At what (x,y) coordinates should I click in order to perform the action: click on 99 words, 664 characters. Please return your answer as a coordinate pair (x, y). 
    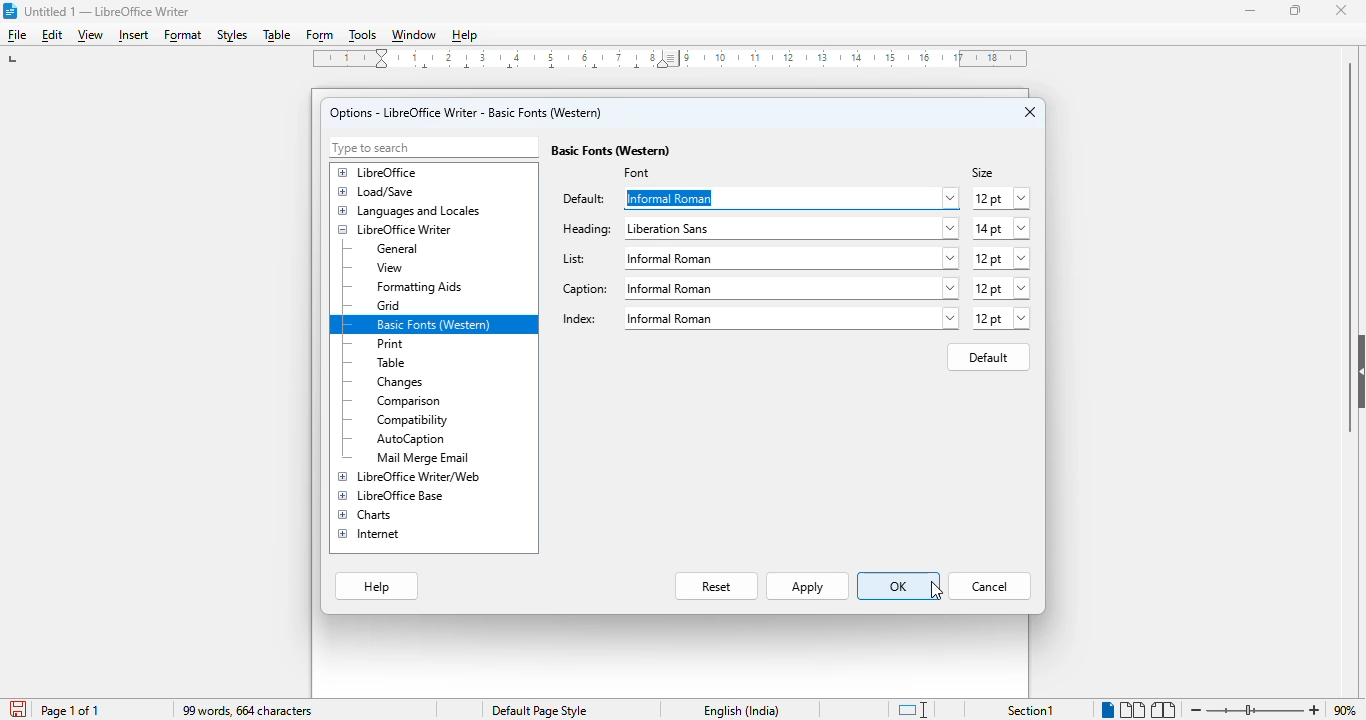
    Looking at the image, I should click on (248, 712).